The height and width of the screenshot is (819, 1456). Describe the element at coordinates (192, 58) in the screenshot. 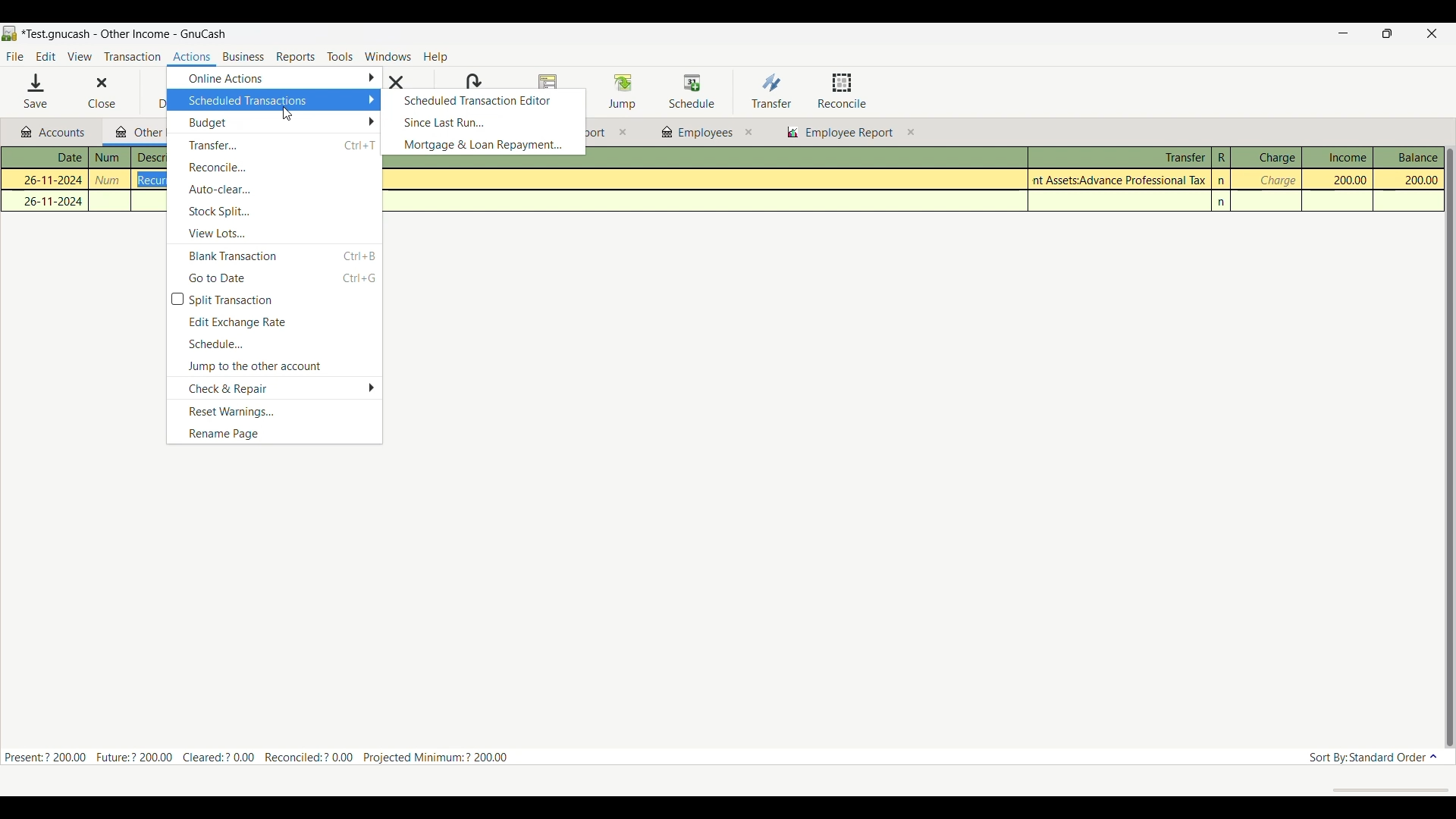

I see `Actions menu highlighted` at that location.